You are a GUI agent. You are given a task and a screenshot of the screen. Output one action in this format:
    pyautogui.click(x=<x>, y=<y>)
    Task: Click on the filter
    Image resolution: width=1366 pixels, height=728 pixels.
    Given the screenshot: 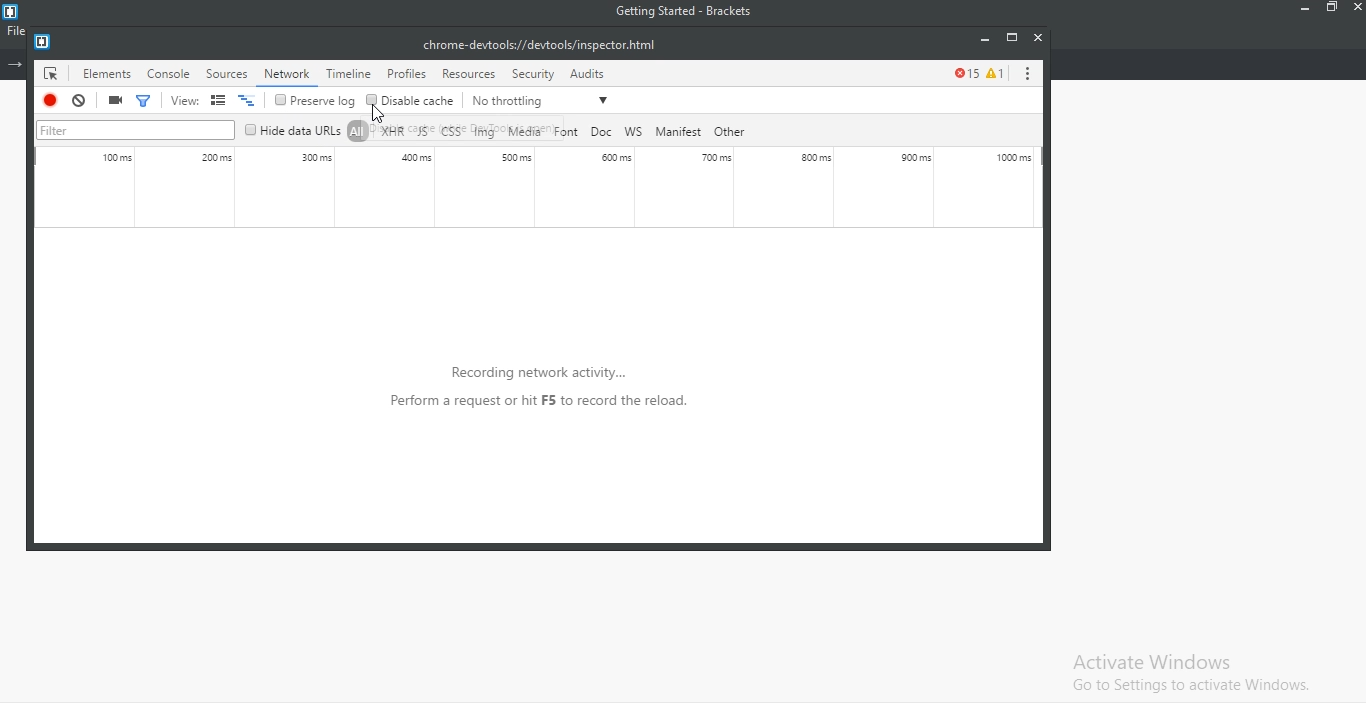 What is the action you would take?
    pyautogui.click(x=143, y=98)
    